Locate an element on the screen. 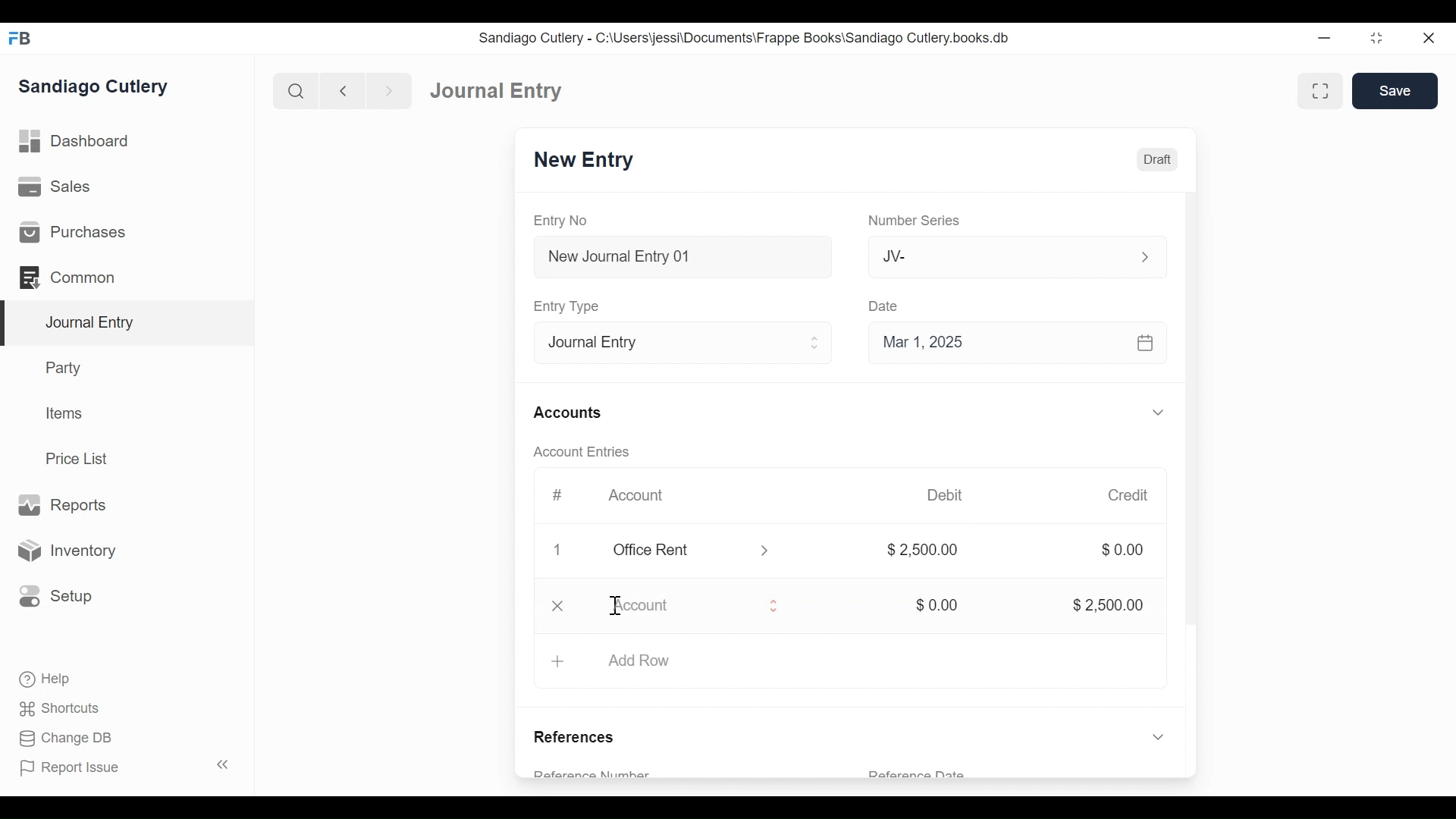 This screenshot has height=819, width=1456. minimize is located at coordinates (1326, 35).